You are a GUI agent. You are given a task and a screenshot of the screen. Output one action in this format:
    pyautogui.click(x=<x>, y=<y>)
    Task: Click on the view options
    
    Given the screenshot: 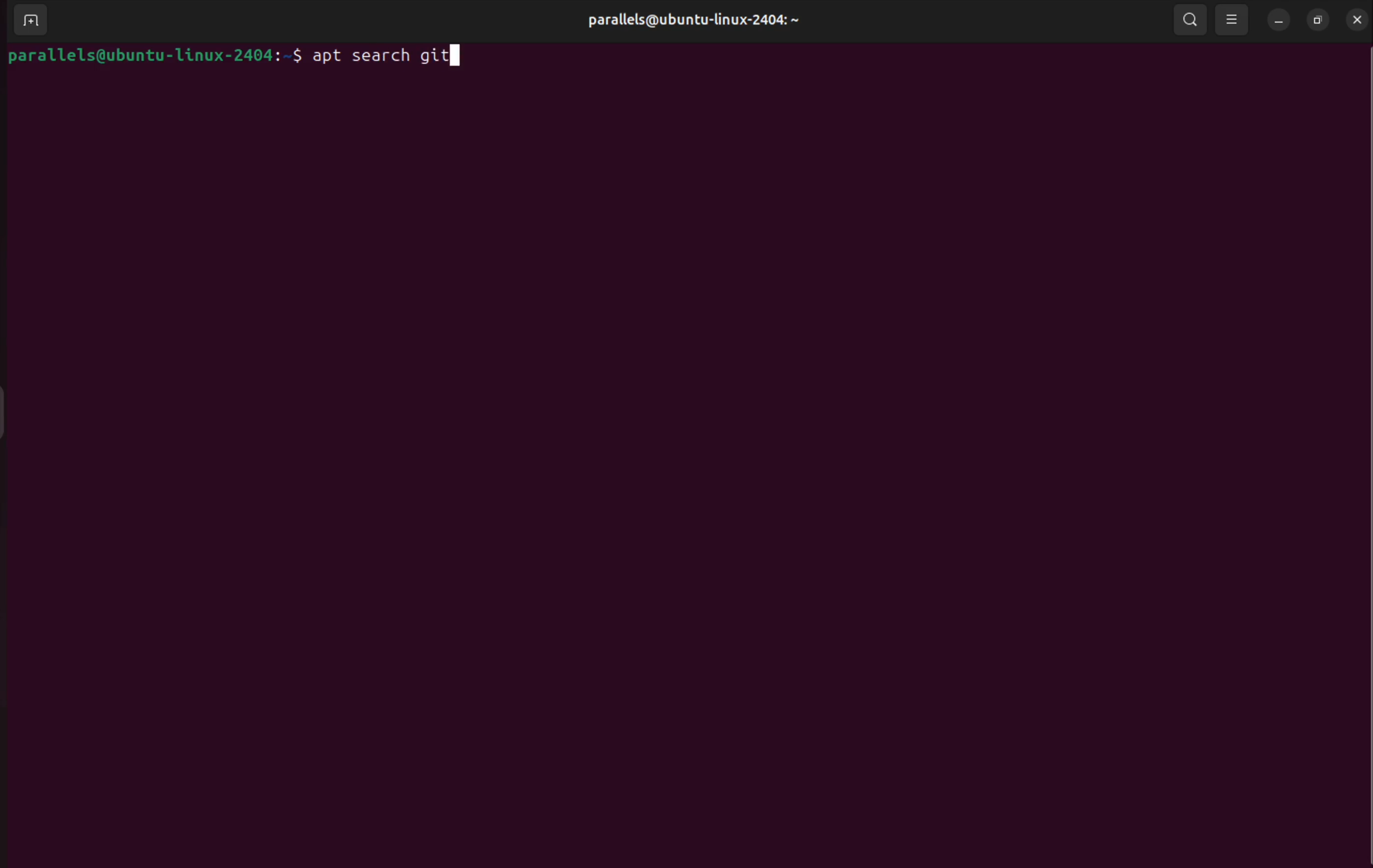 What is the action you would take?
    pyautogui.click(x=1233, y=19)
    